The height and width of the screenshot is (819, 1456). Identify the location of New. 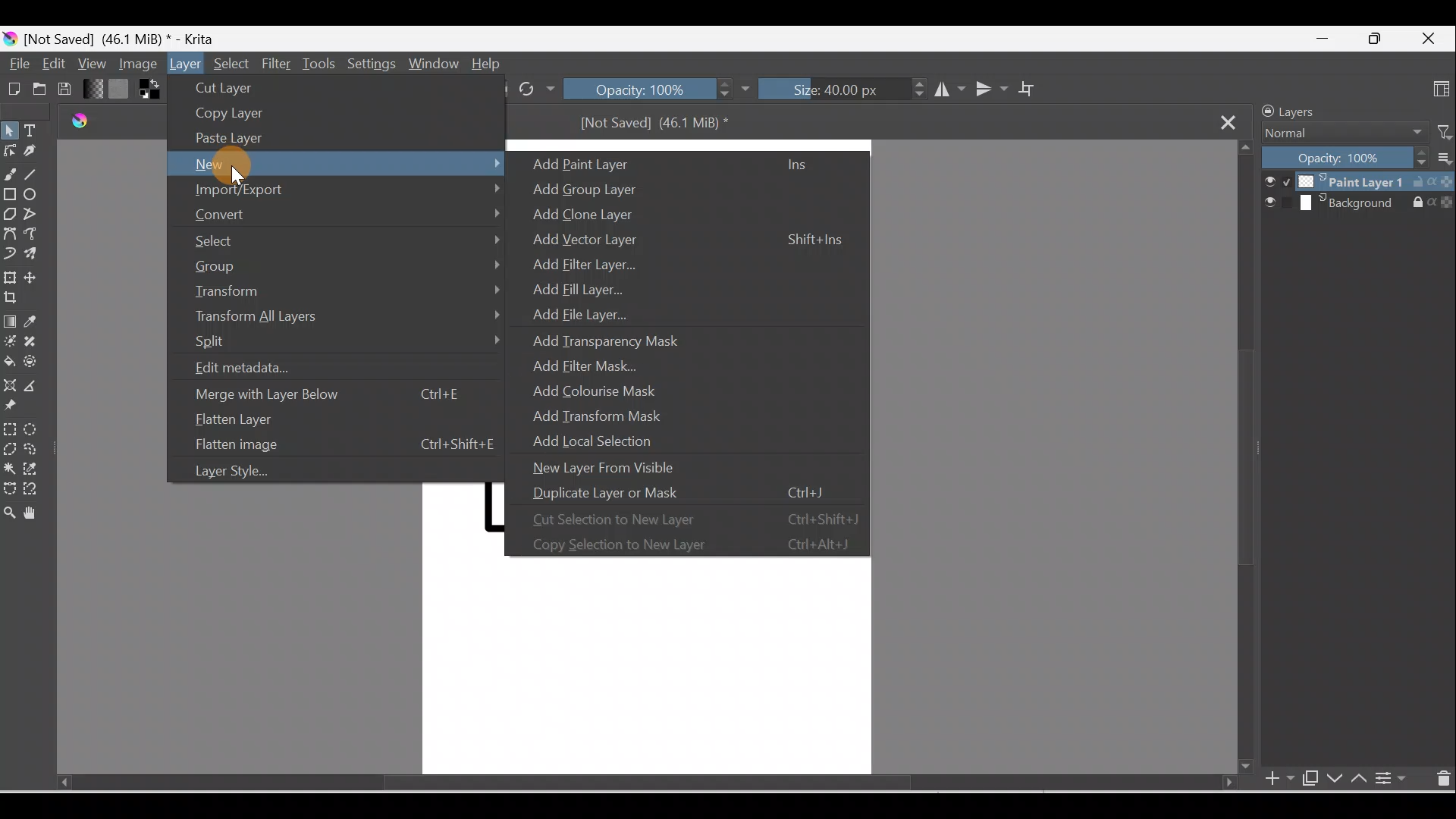
(337, 164).